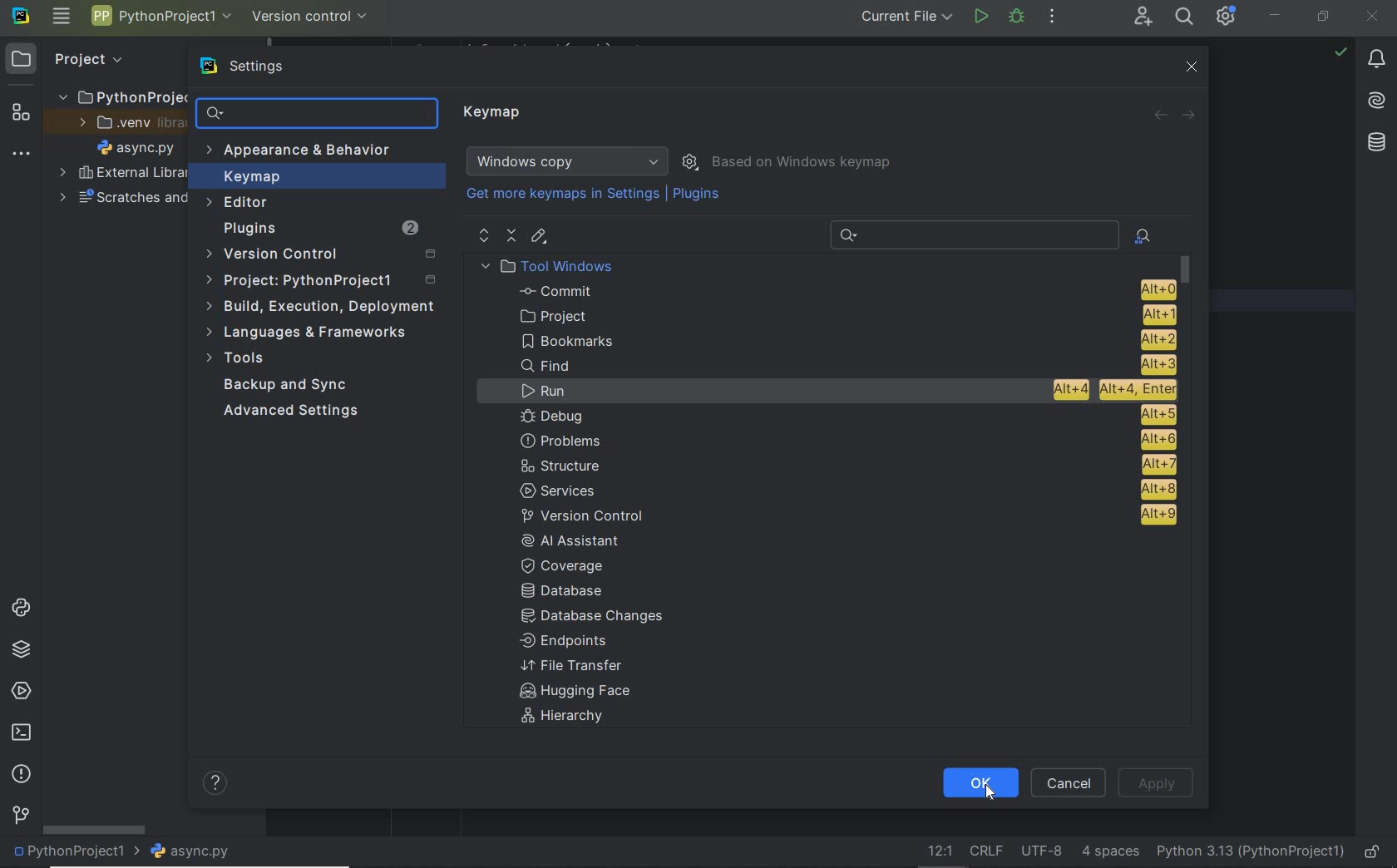  What do you see at coordinates (22, 150) in the screenshot?
I see `More tool windows` at bounding box center [22, 150].